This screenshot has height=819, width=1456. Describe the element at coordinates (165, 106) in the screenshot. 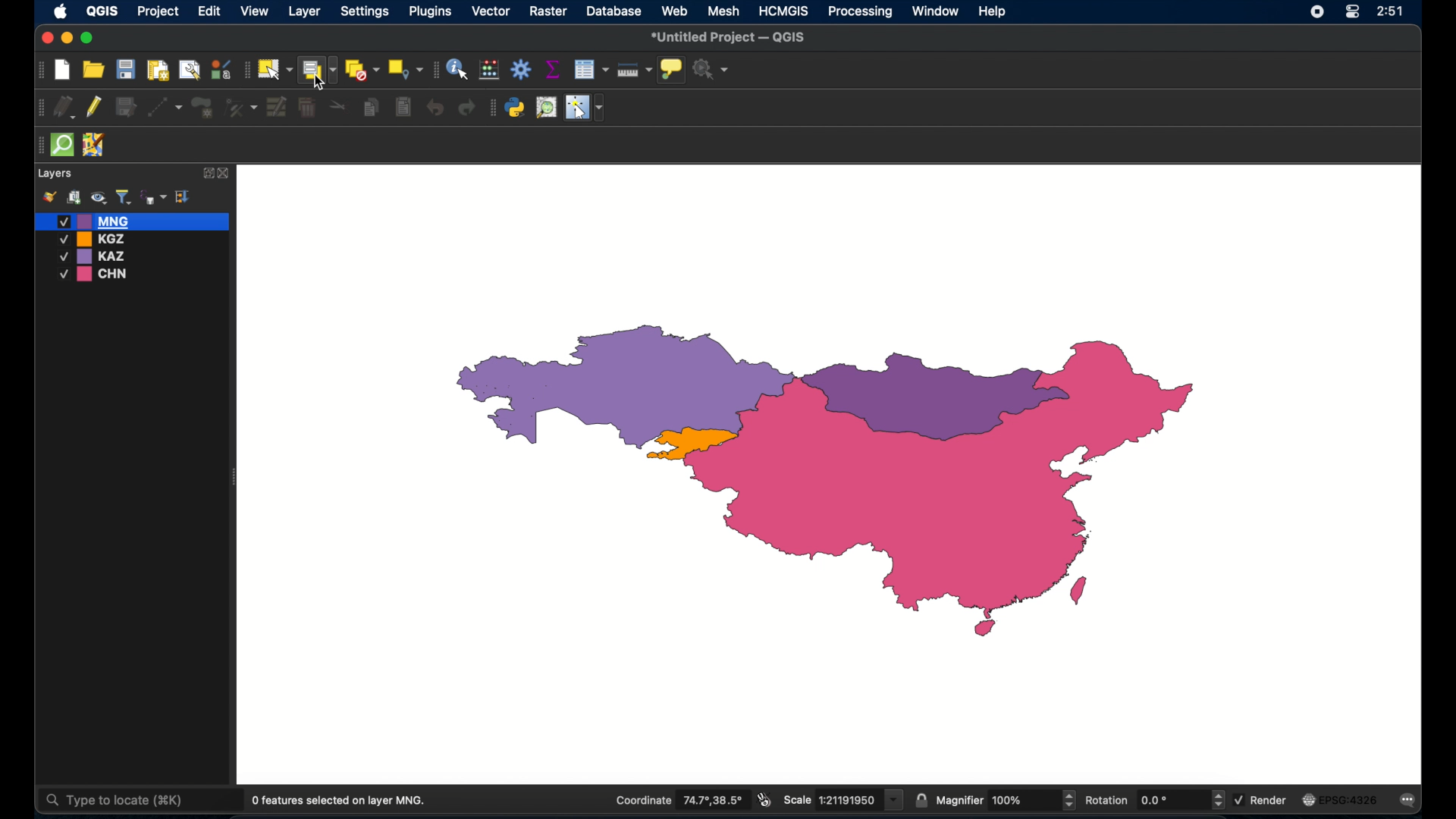

I see `digitize with segment` at that location.